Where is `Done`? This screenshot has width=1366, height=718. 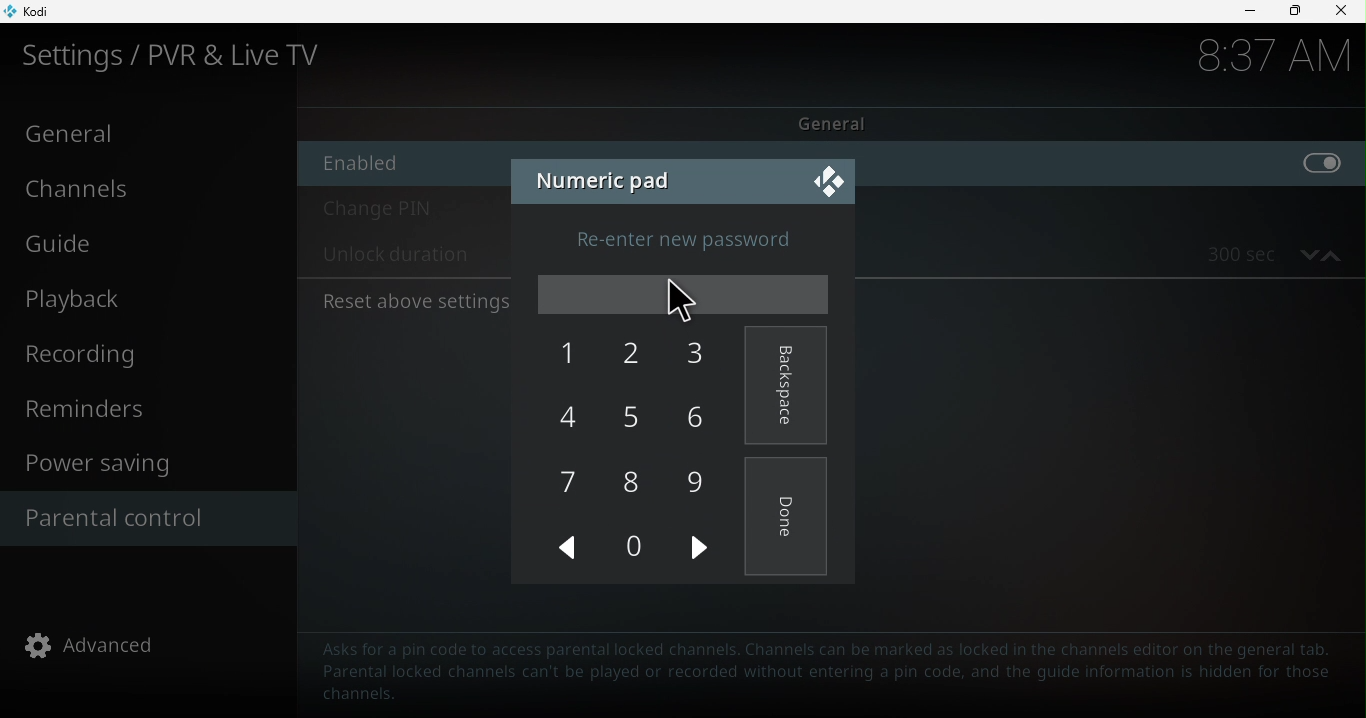 Done is located at coordinates (793, 517).